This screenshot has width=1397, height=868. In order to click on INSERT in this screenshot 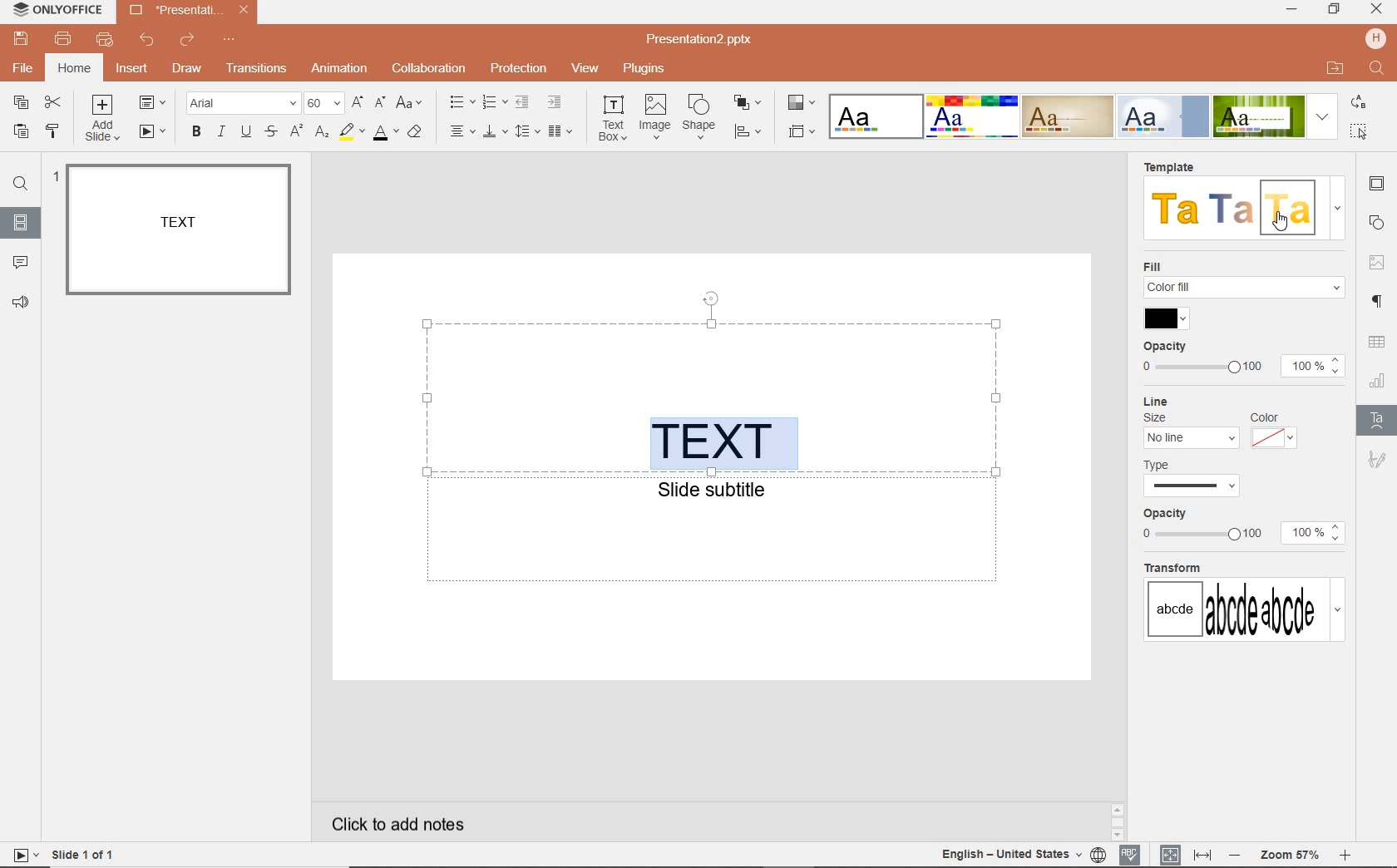, I will do `click(131, 72)`.